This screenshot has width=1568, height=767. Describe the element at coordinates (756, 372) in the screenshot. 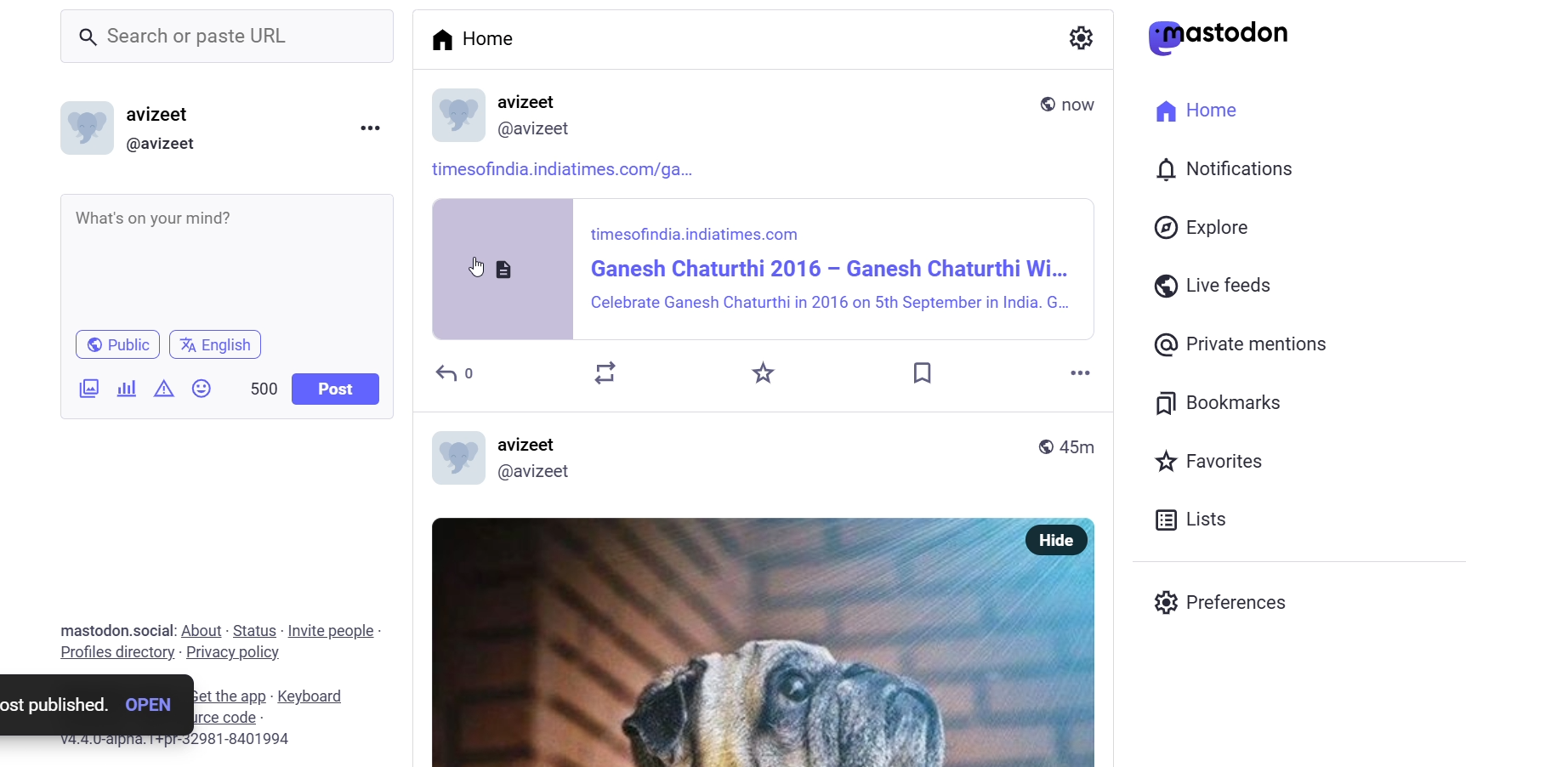

I see `favorite` at that location.